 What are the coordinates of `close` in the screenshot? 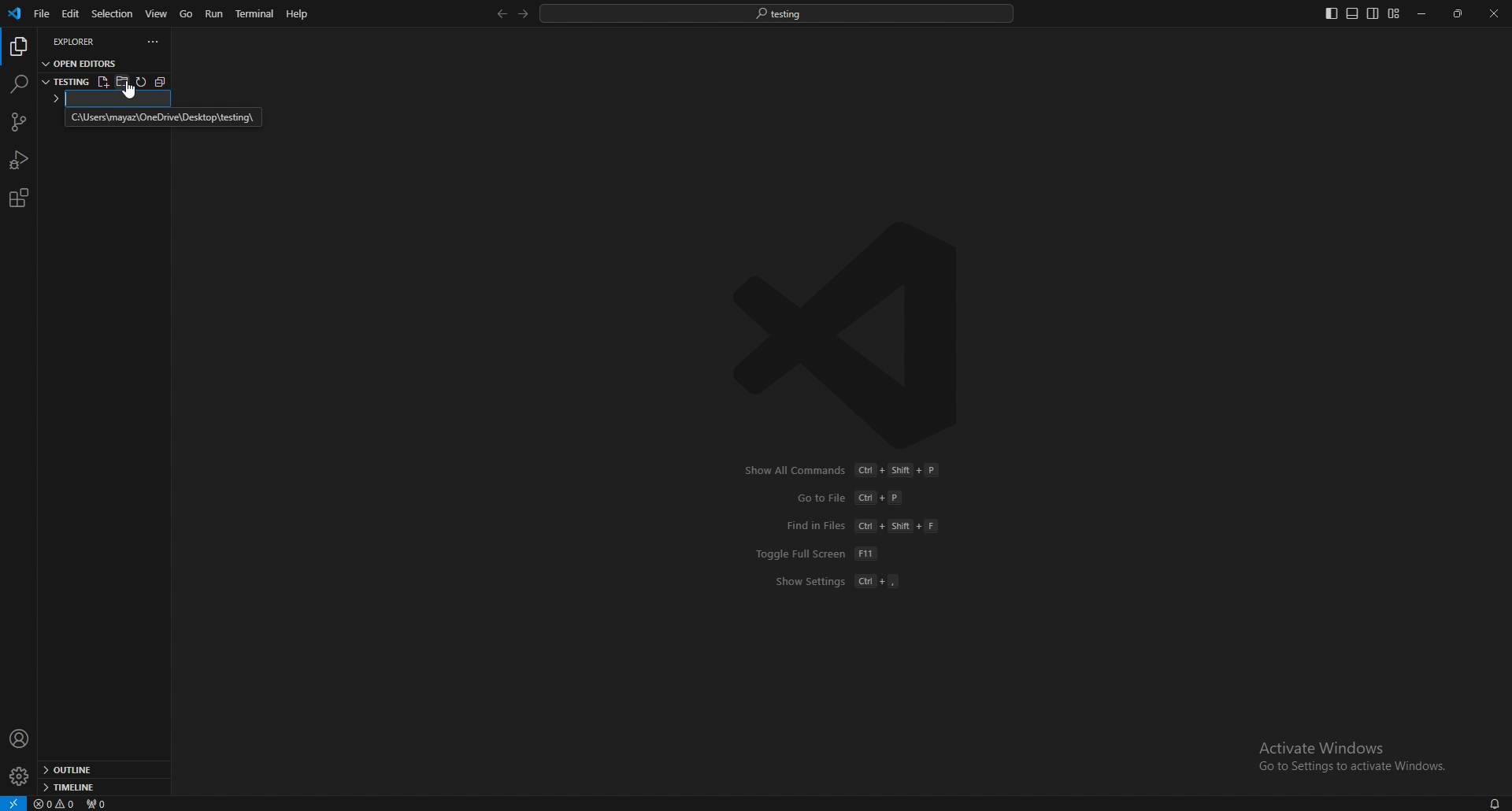 It's located at (1494, 13).